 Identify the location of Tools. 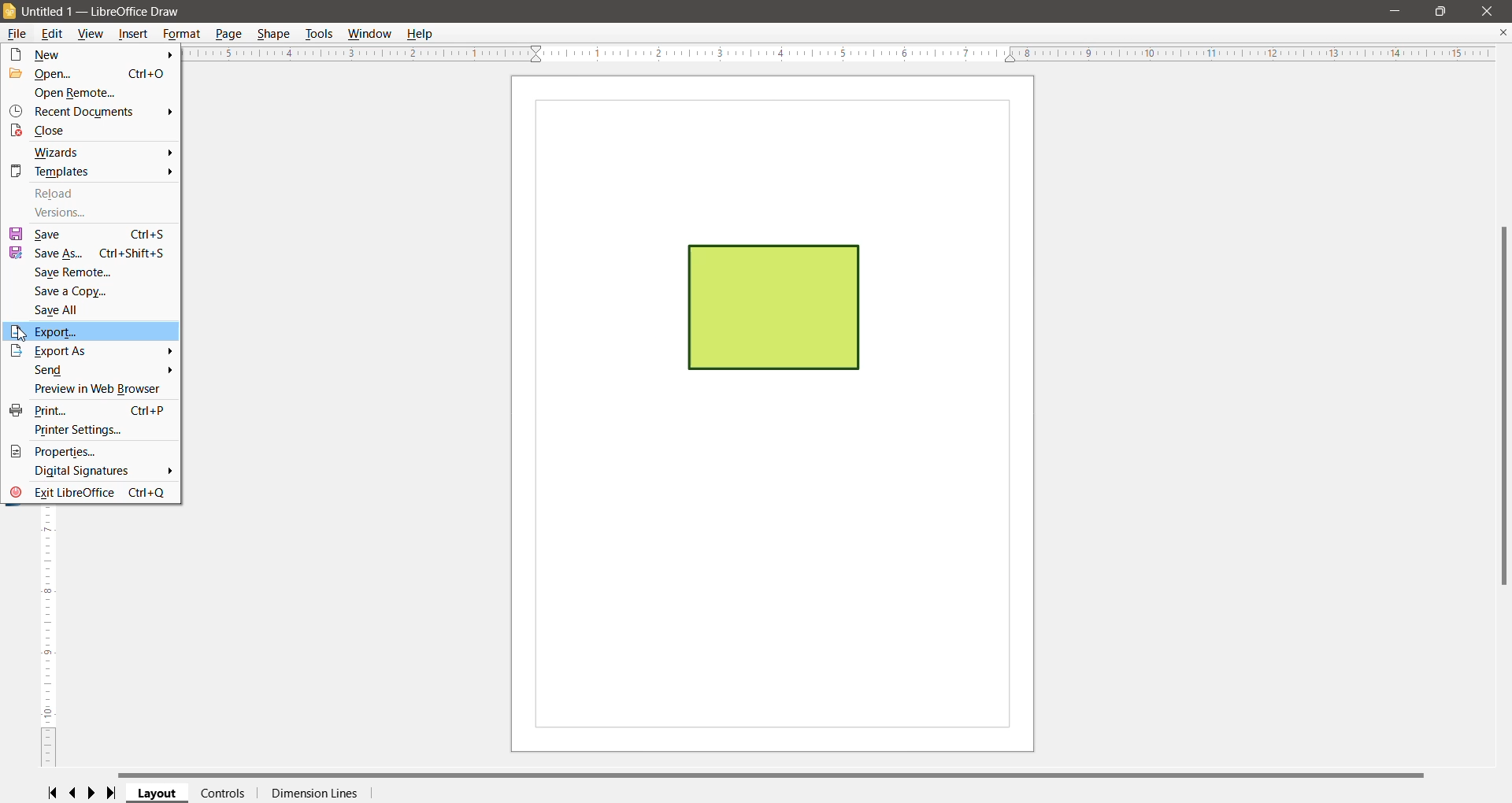
(318, 34).